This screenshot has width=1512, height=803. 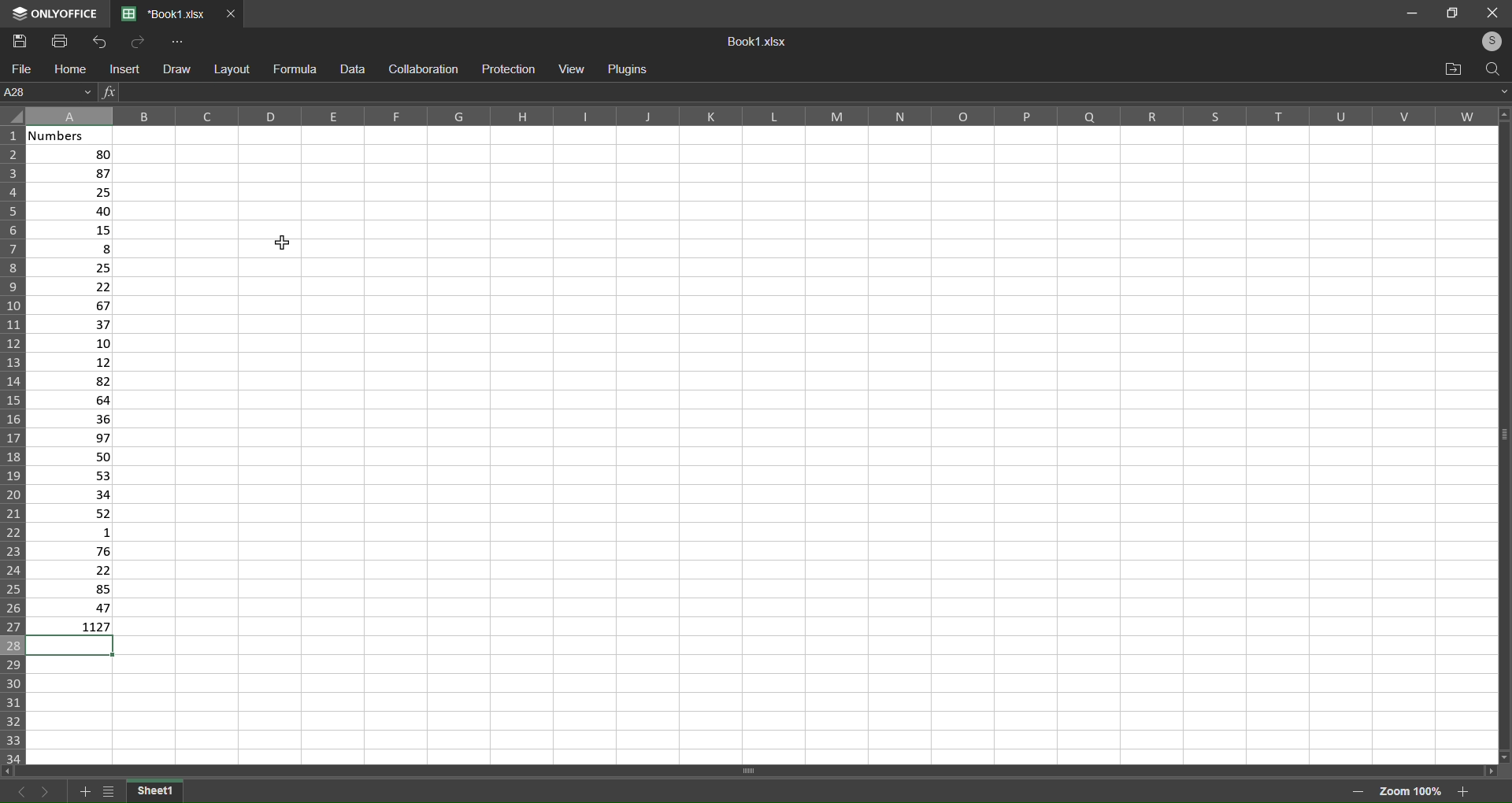 What do you see at coordinates (282, 242) in the screenshot?
I see `cursor` at bounding box center [282, 242].